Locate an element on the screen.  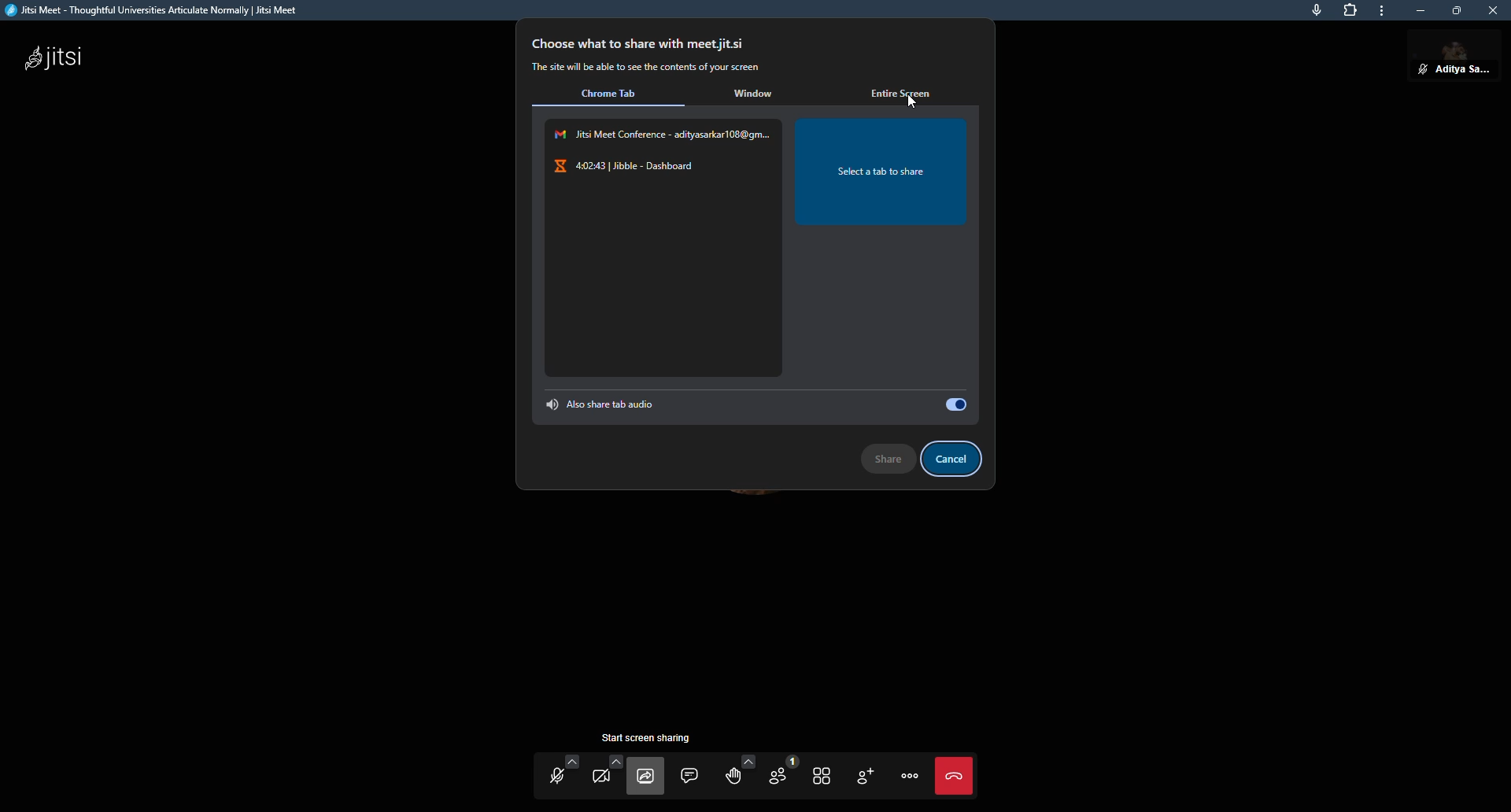
The site will be able to see the contents of your screen is located at coordinates (651, 68).